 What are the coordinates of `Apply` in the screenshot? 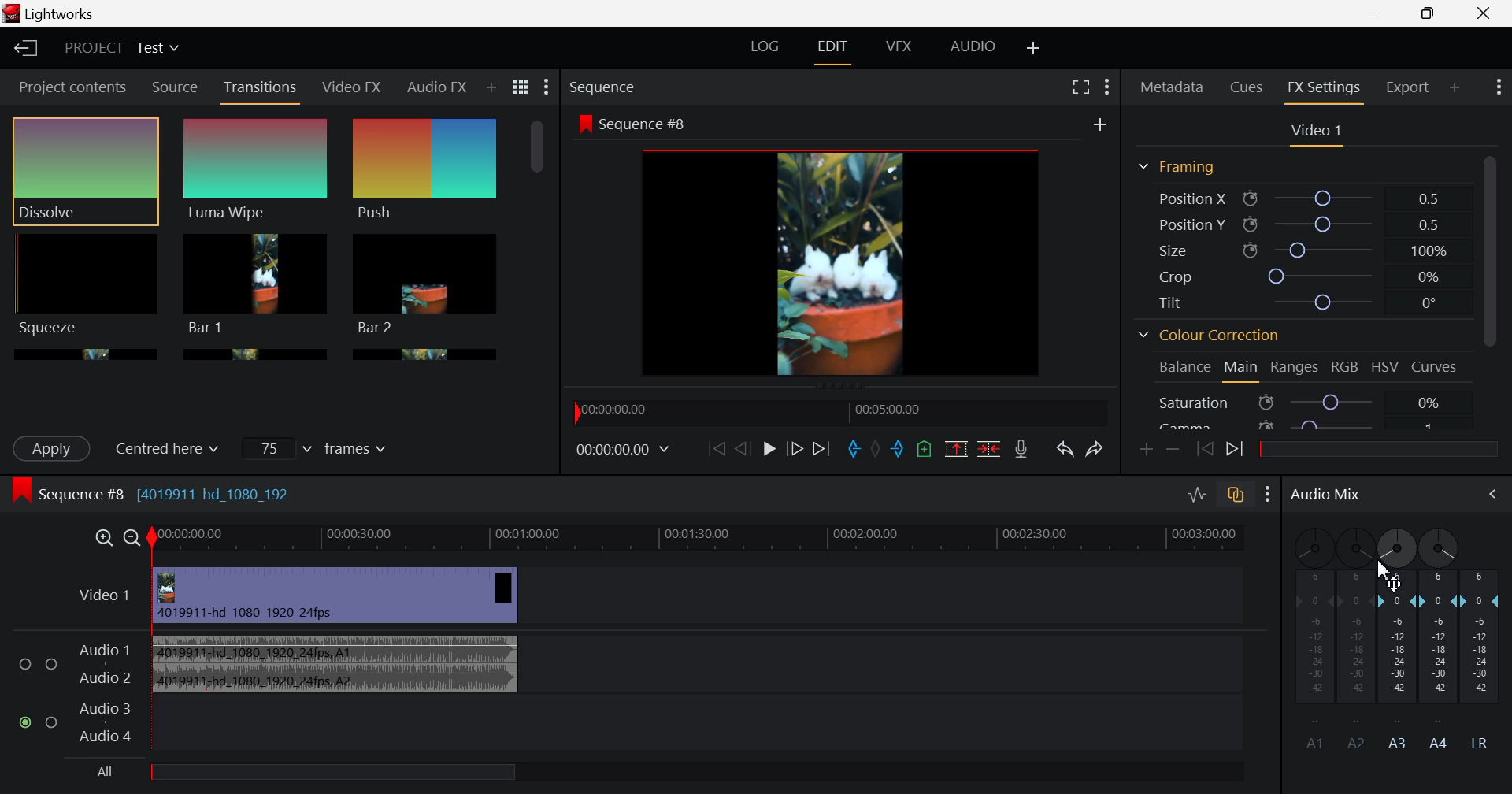 It's located at (54, 448).